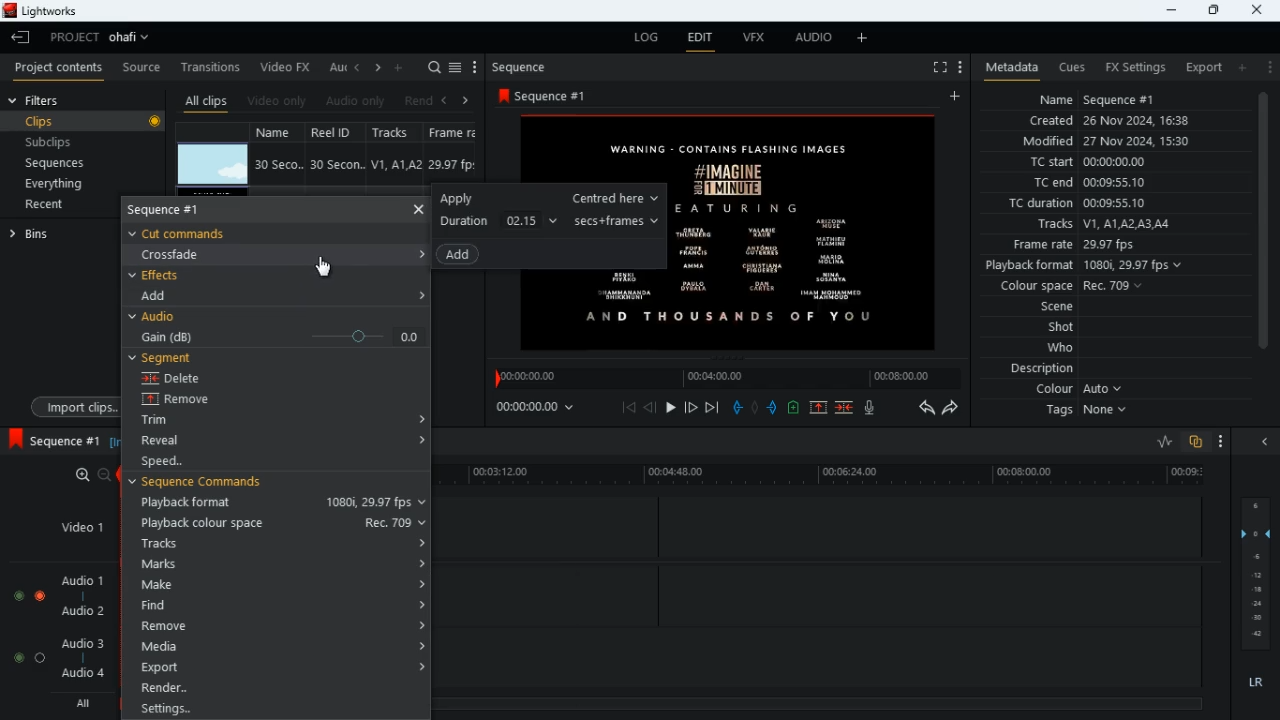 The image size is (1280, 720). Describe the element at coordinates (181, 211) in the screenshot. I see `sequence` at that location.